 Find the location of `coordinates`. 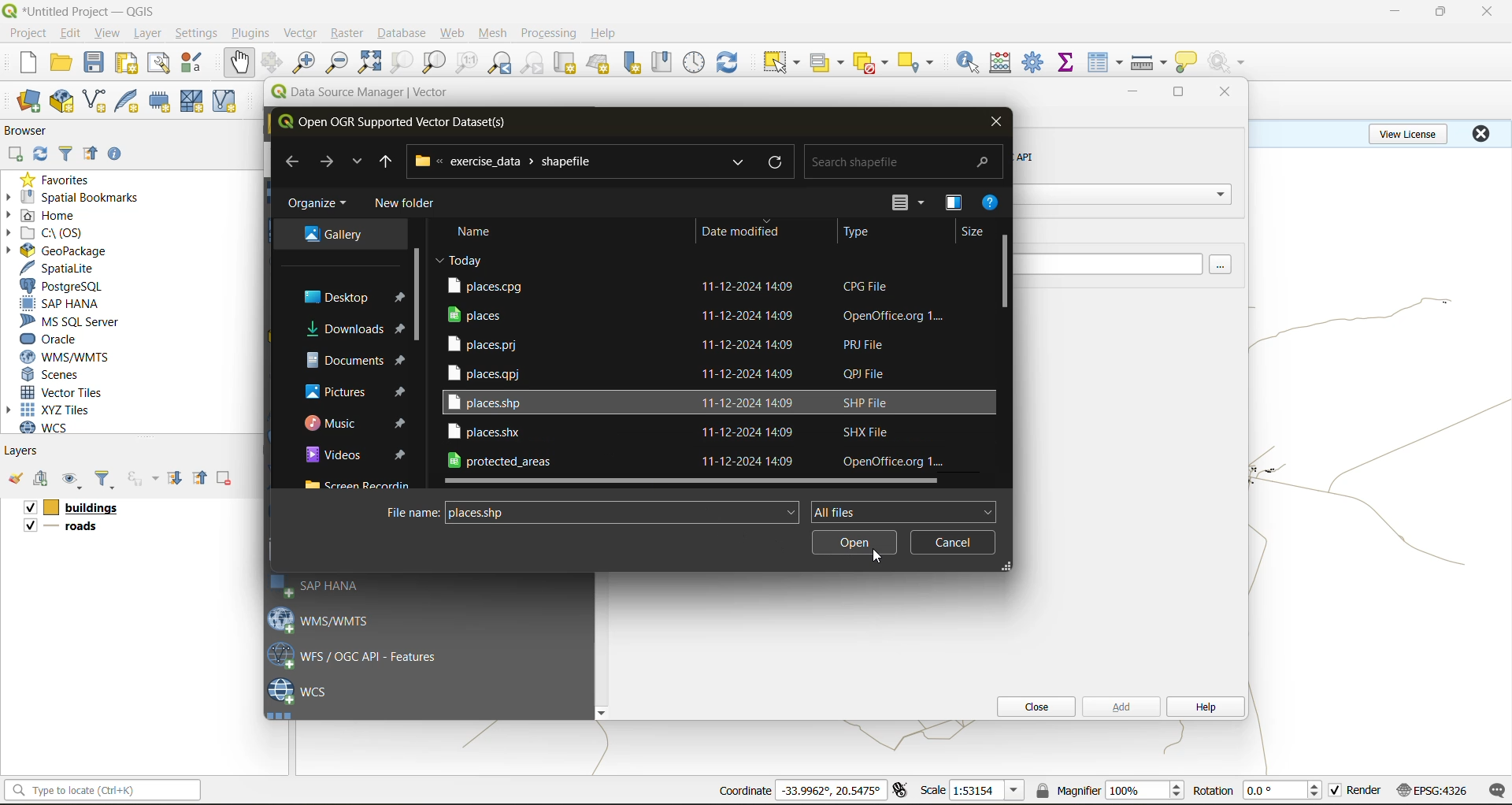

coordinates is located at coordinates (744, 791).